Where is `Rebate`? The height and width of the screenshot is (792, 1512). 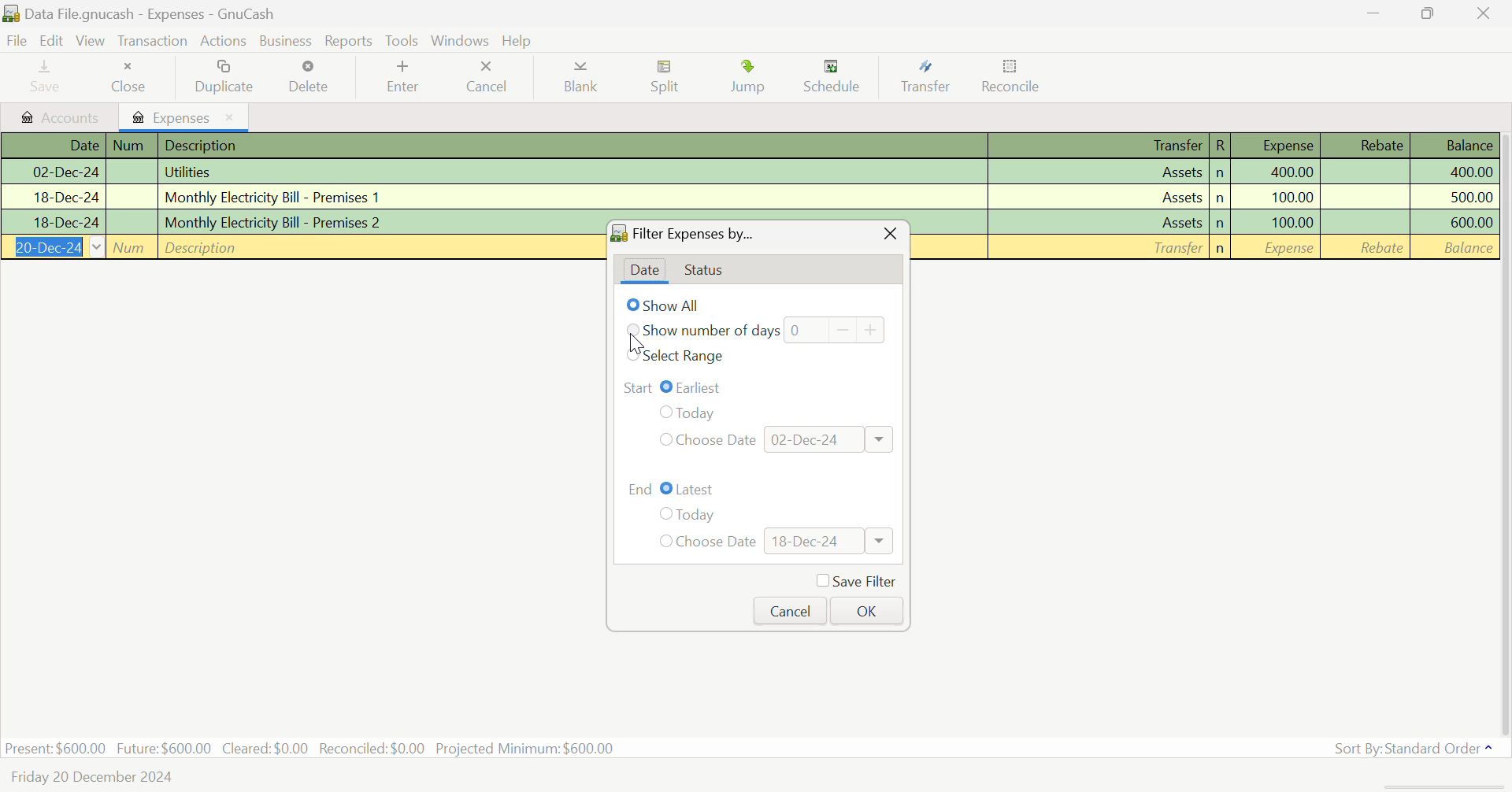
Rebate is located at coordinates (1366, 222).